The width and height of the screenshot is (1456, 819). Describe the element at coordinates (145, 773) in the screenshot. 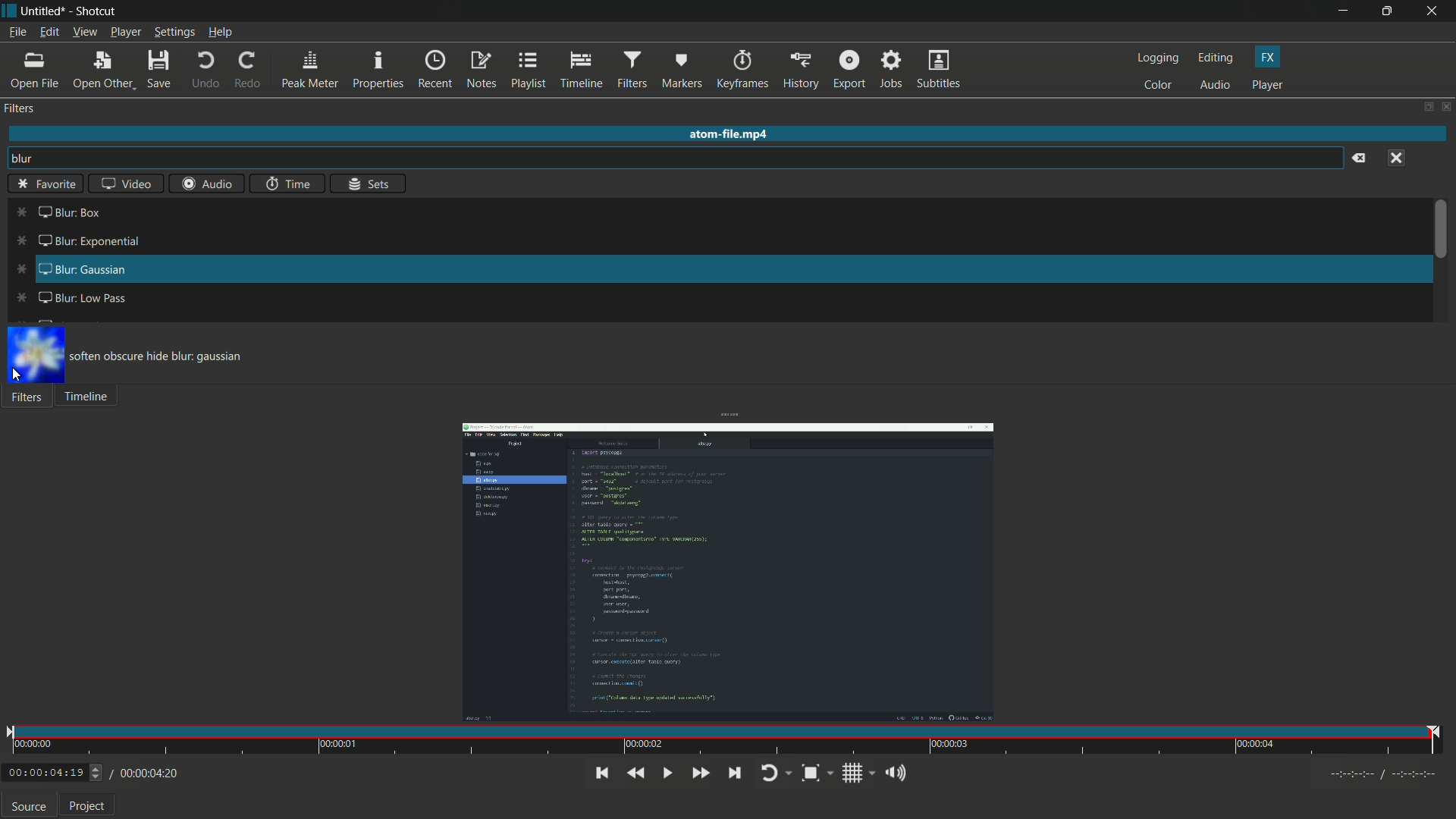

I see `/ 00:00:04:20` at that location.